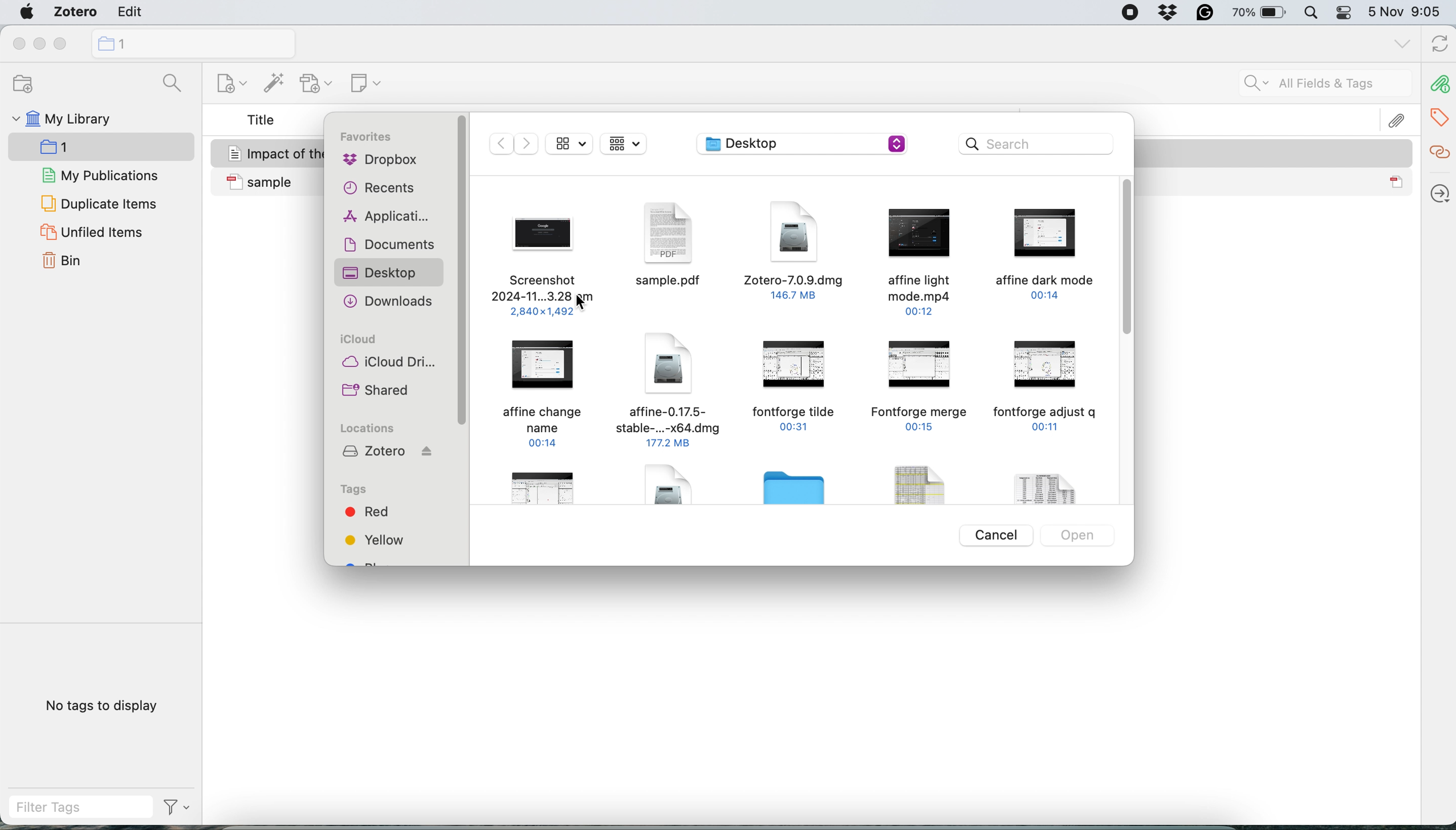  I want to click on sidebar vertical scroll bar, so click(462, 272).